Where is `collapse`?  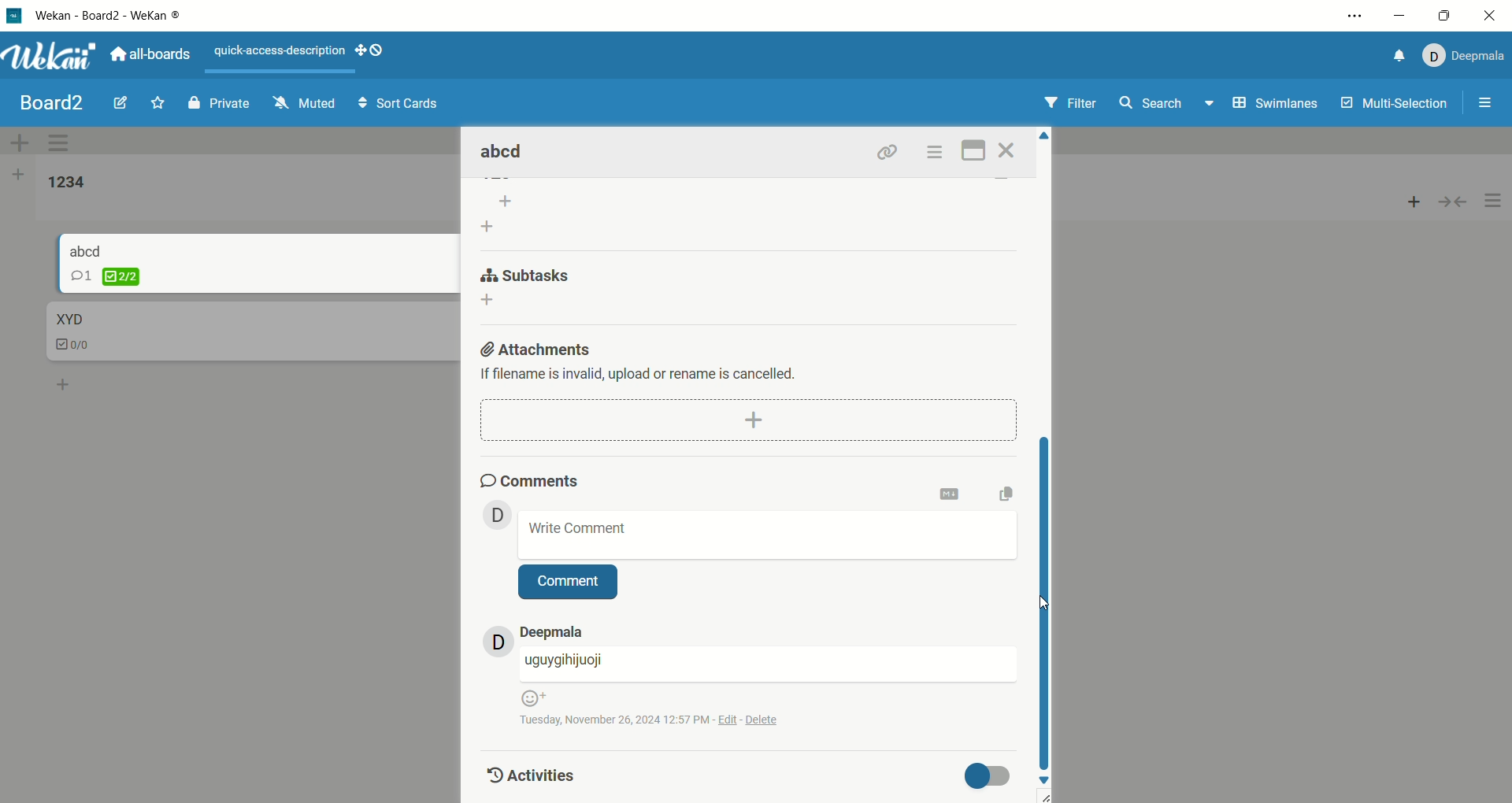 collapse is located at coordinates (1459, 200).